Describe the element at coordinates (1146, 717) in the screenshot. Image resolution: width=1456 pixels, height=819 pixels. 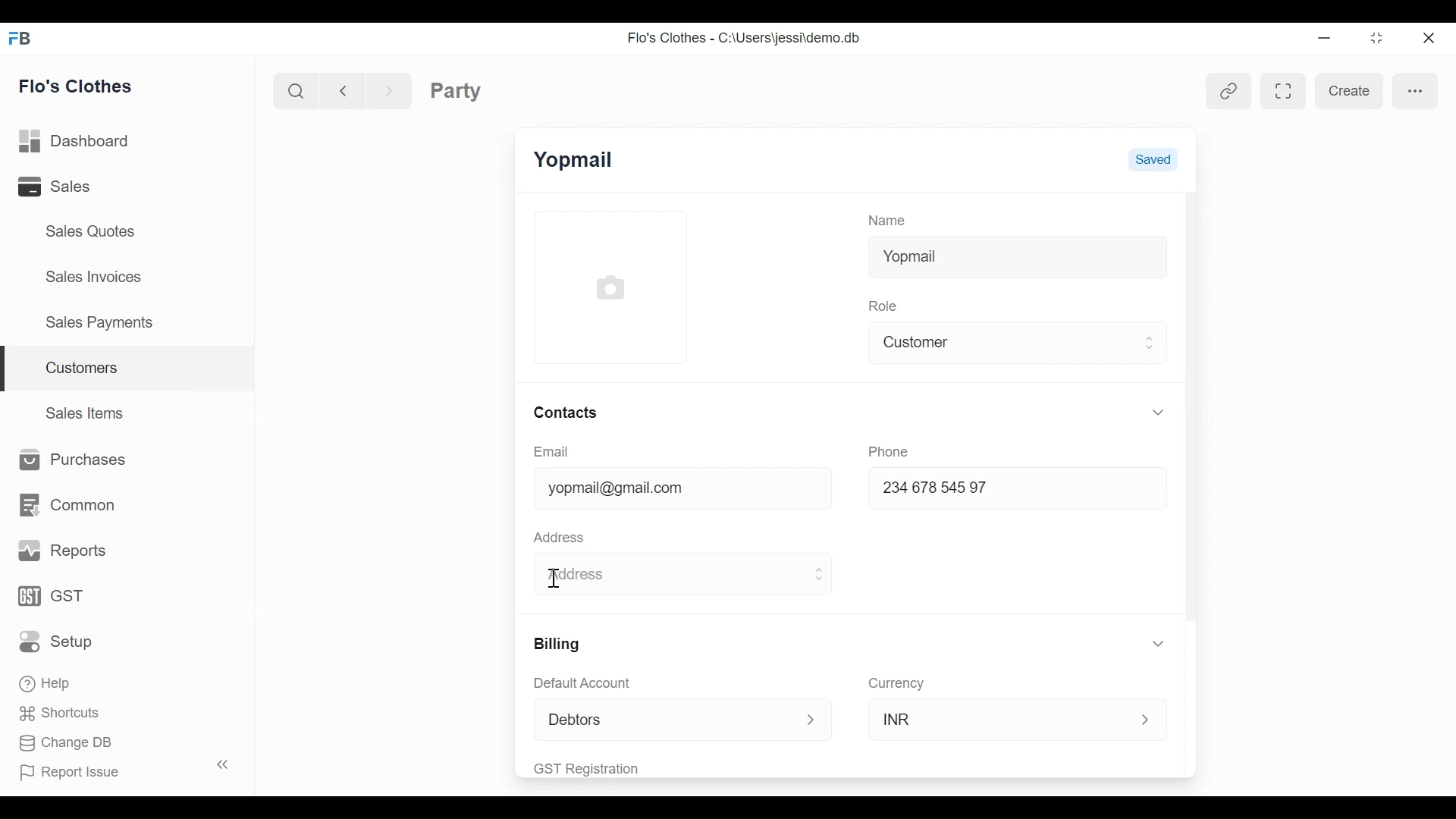
I see `Expand` at that location.